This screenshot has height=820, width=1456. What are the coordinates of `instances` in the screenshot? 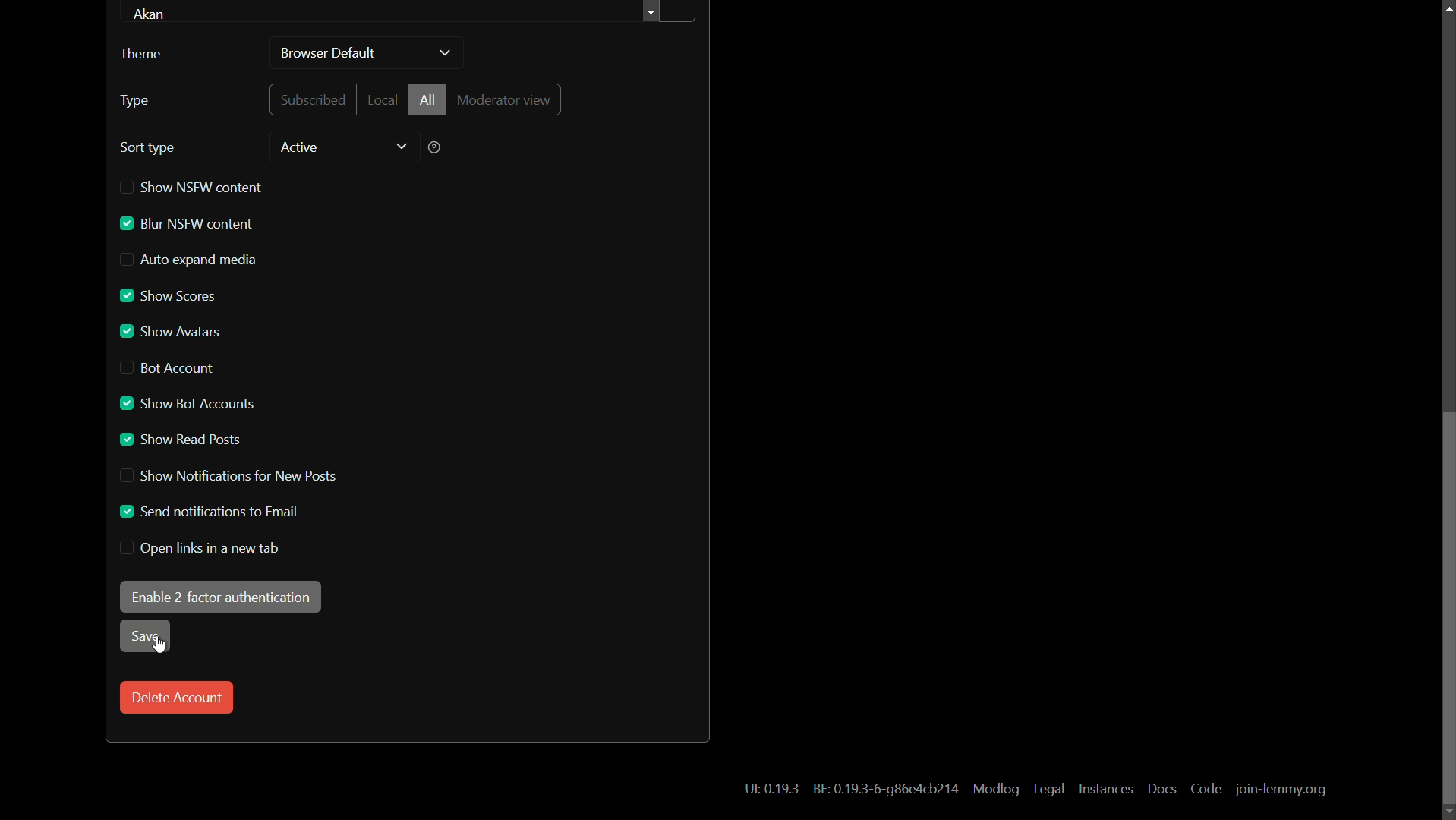 It's located at (1106, 790).